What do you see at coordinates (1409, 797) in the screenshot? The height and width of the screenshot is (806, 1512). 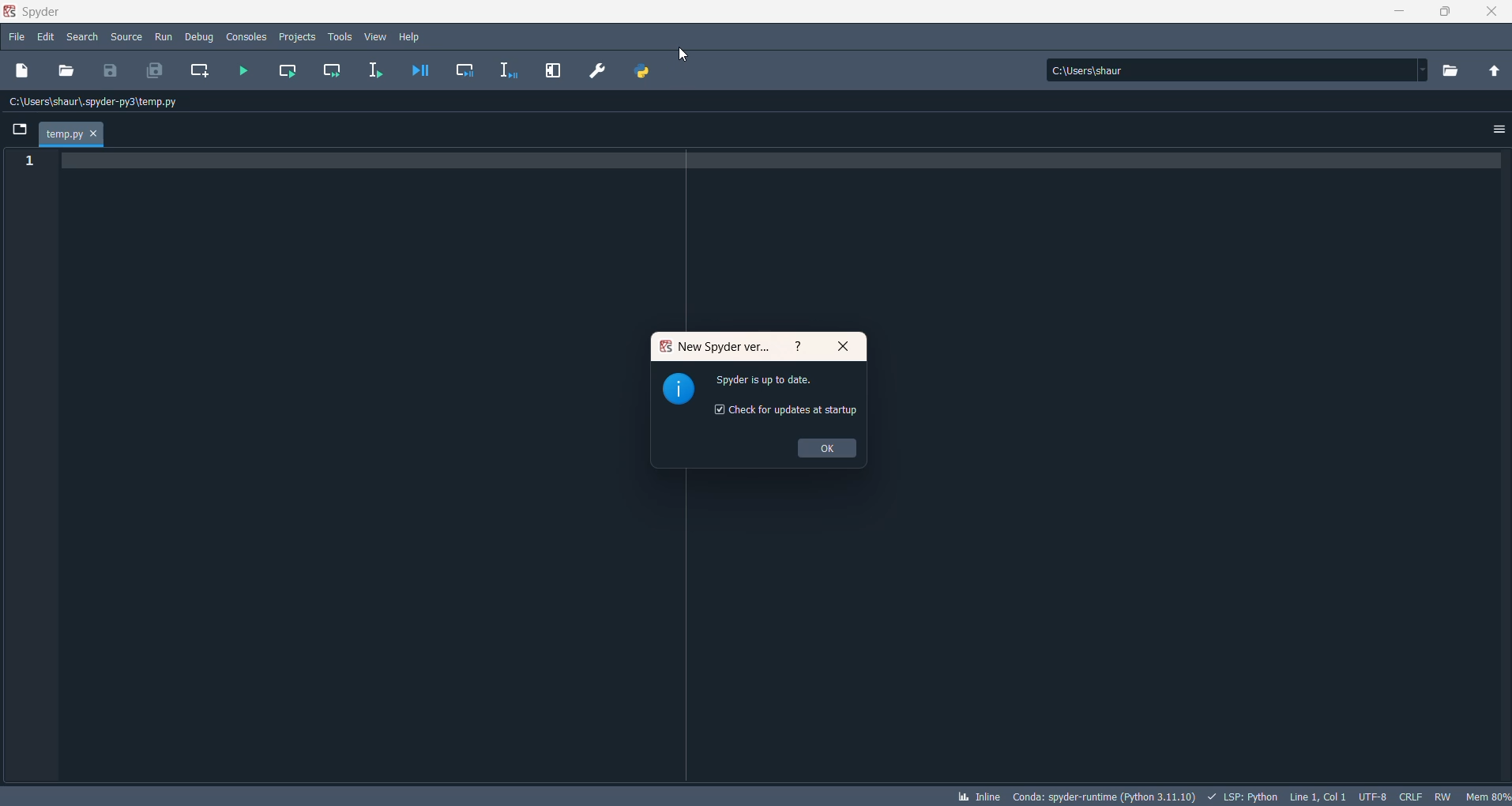 I see `FILE EOL STATUS` at bounding box center [1409, 797].